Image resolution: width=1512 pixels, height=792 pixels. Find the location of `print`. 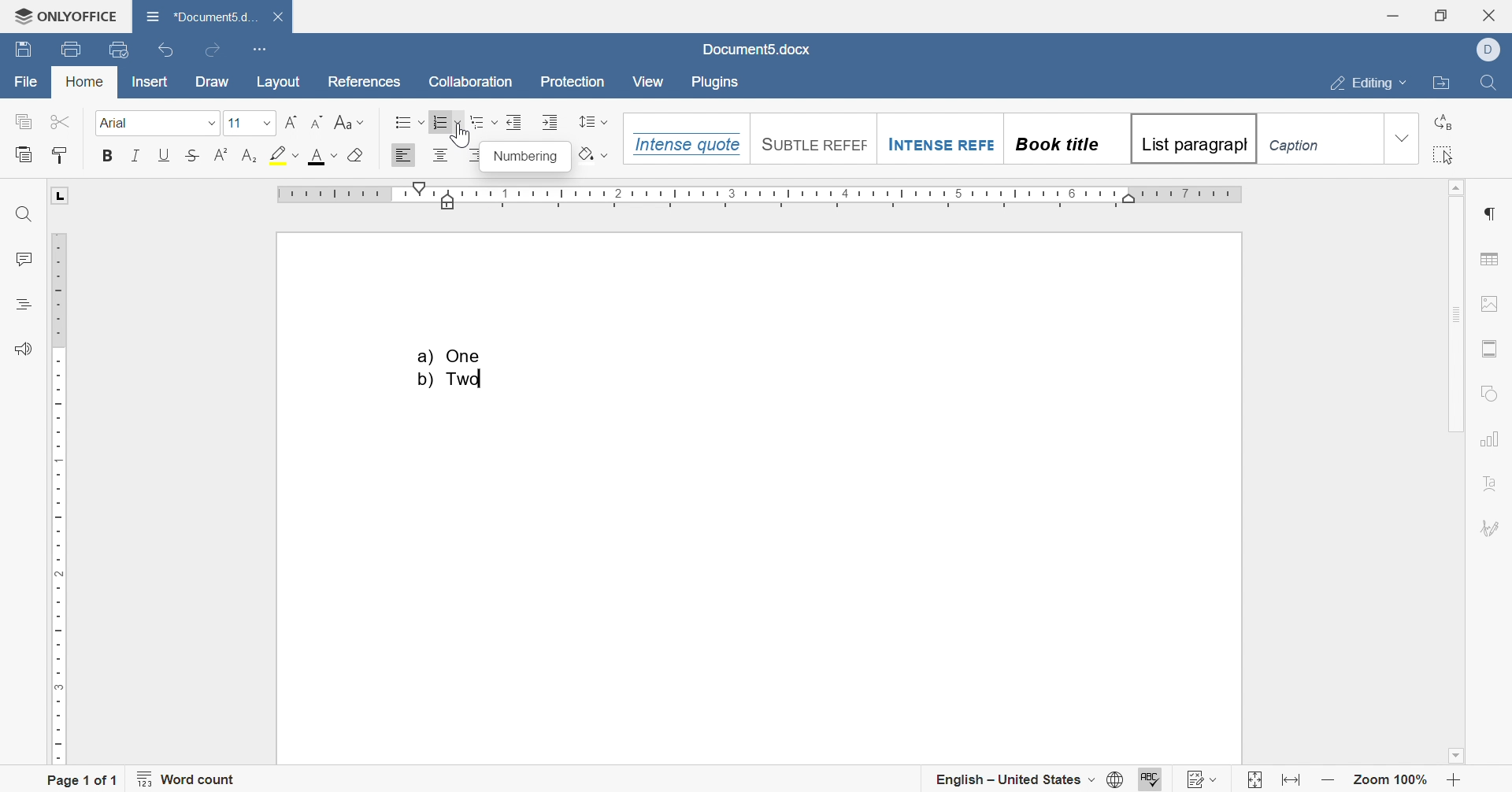

print is located at coordinates (74, 48).